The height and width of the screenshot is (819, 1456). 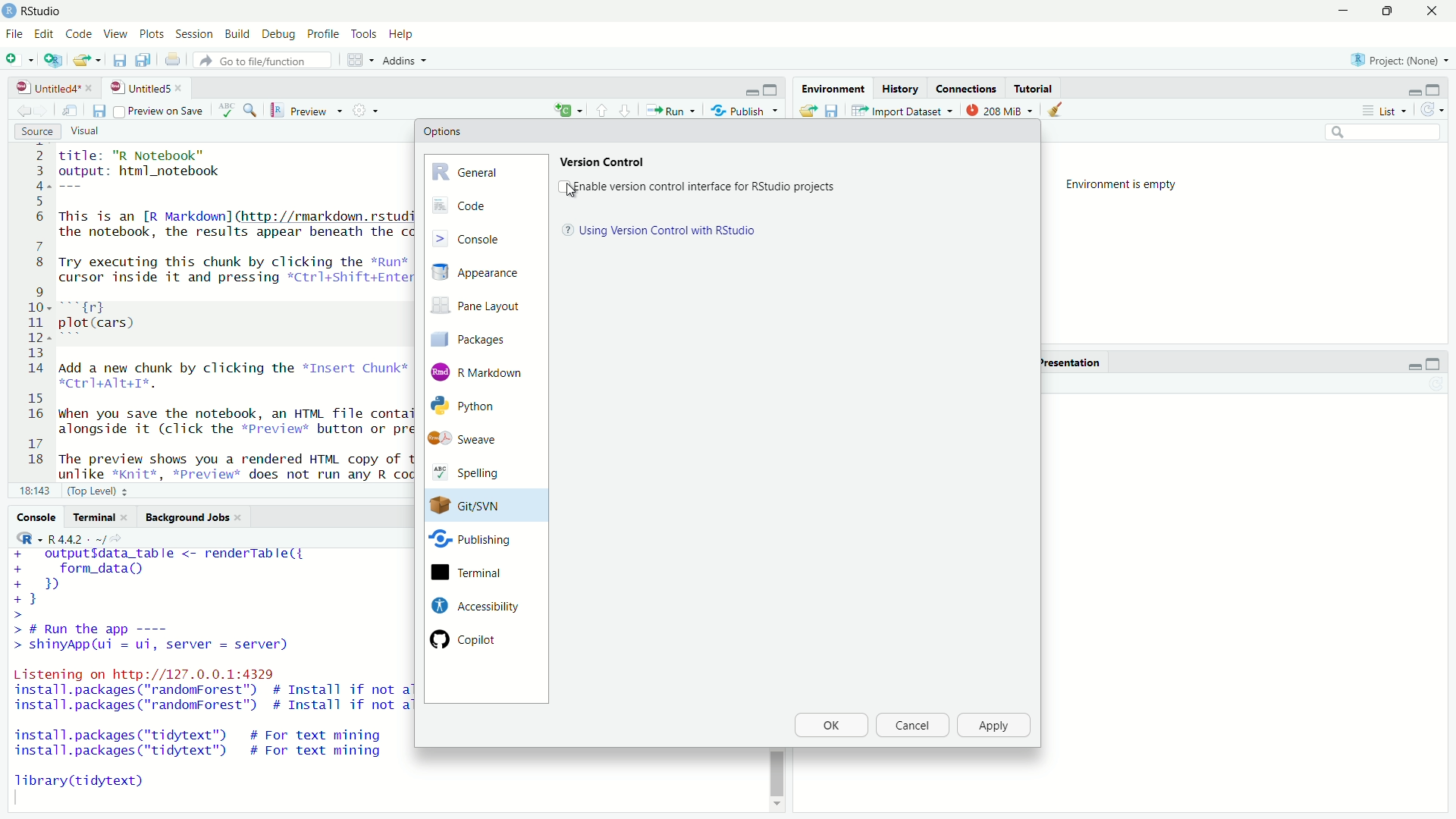 I want to click on copilot, so click(x=476, y=639).